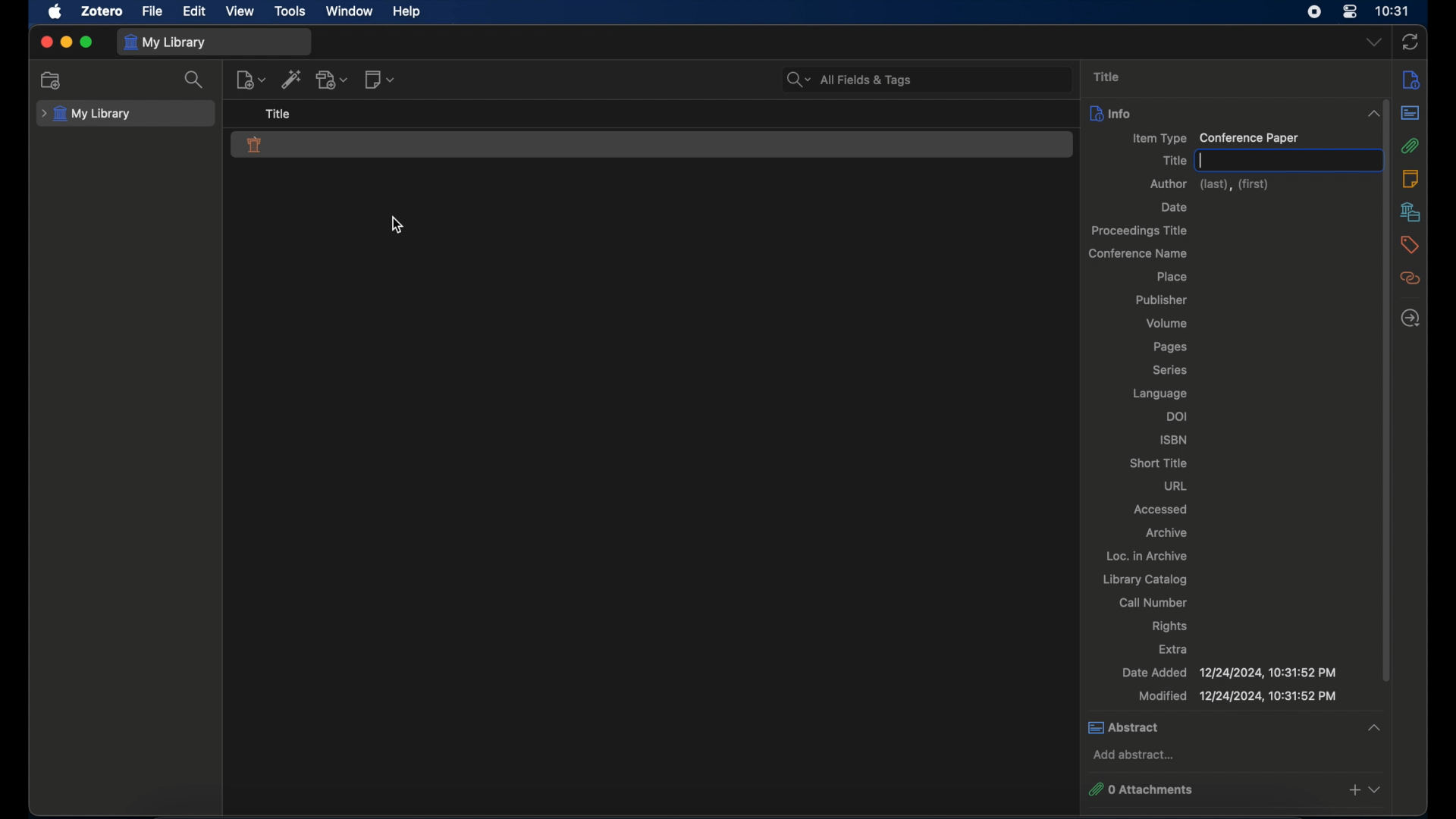 The height and width of the screenshot is (819, 1456). Describe the element at coordinates (1156, 463) in the screenshot. I see `short title` at that location.